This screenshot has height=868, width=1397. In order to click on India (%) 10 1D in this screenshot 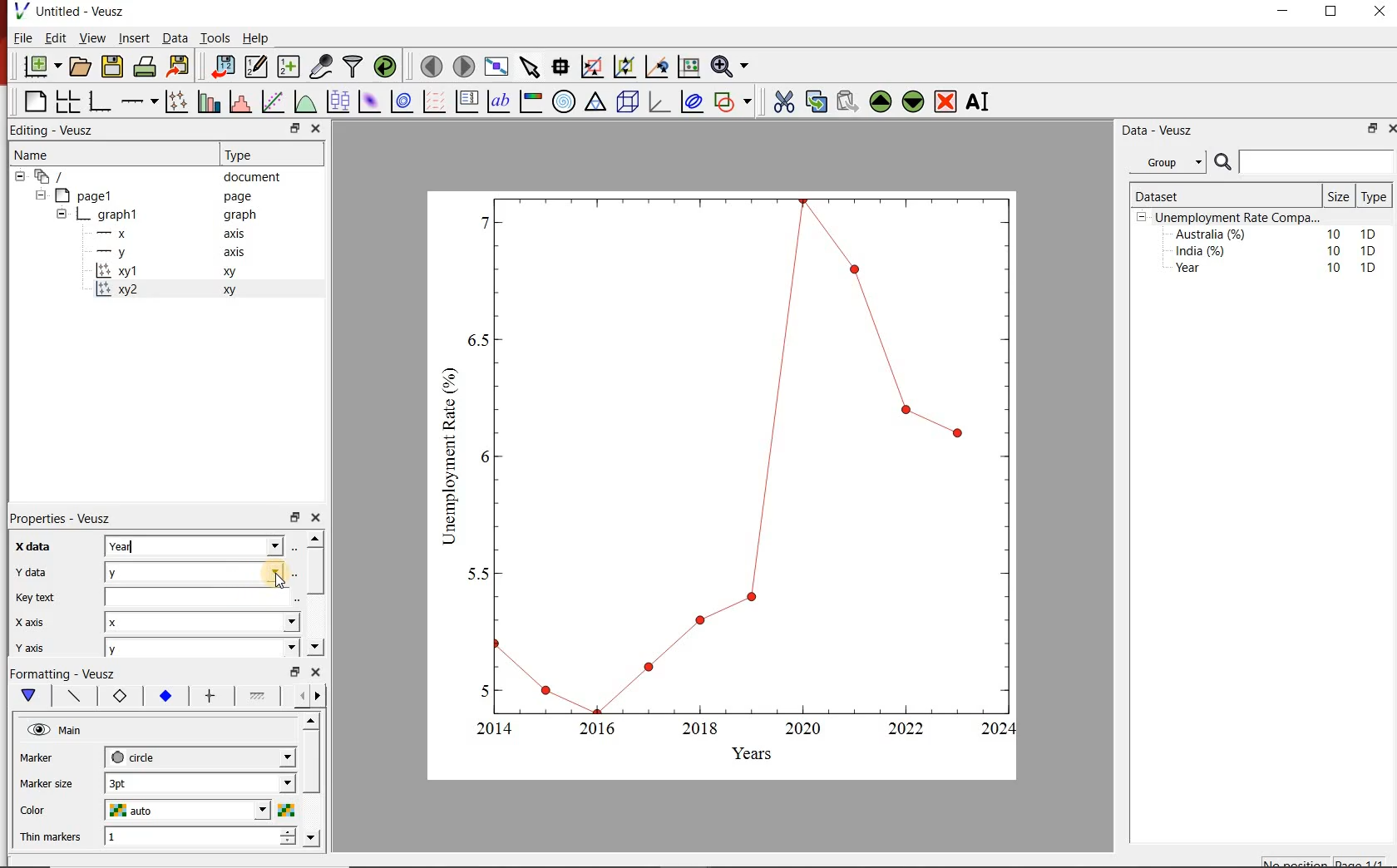, I will do `click(1277, 250)`.